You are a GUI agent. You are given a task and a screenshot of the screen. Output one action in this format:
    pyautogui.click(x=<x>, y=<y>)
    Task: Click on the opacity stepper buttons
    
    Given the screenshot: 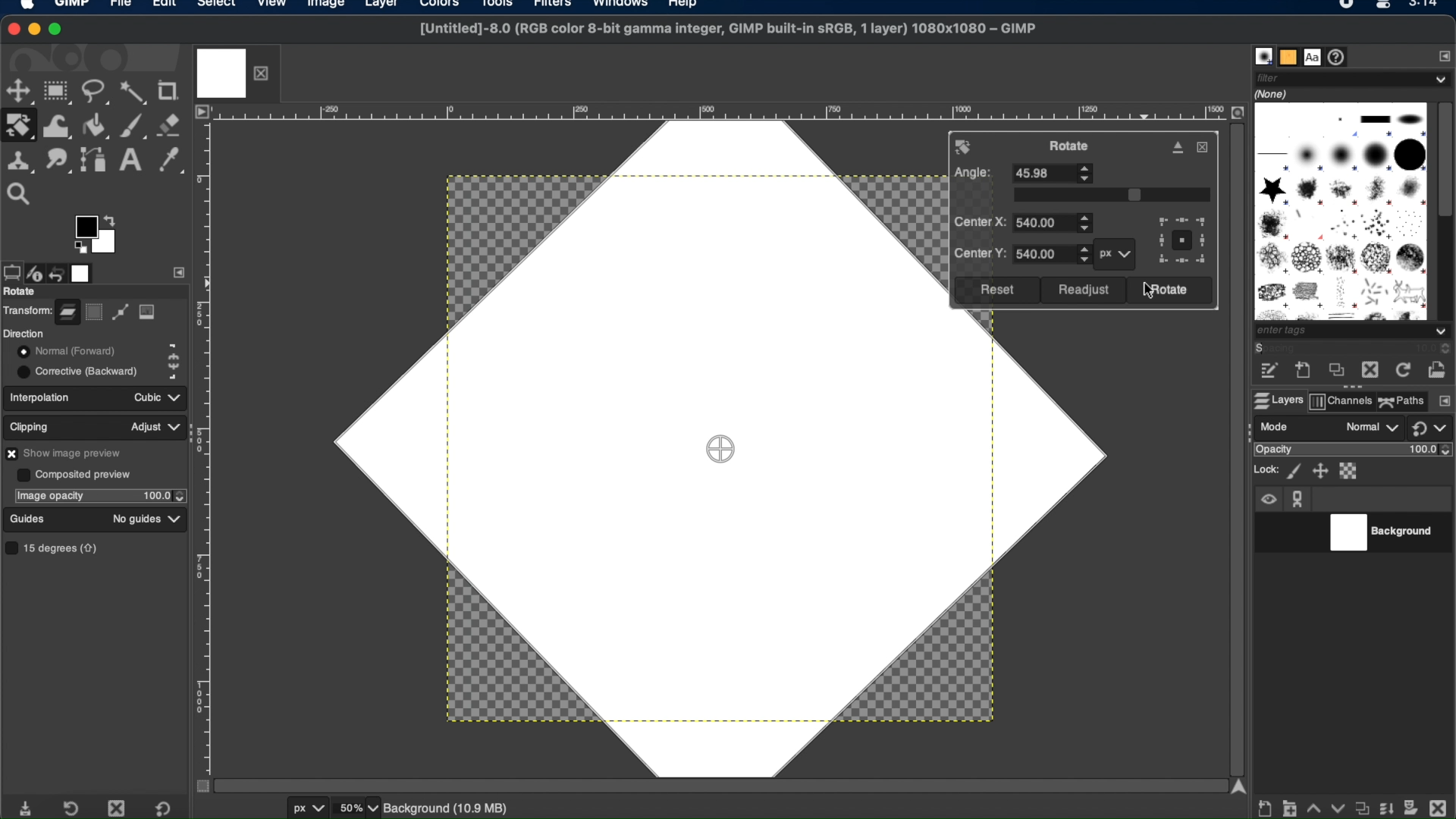 What is the action you would take?
    pyautogui.click(x=165, y=495)
    